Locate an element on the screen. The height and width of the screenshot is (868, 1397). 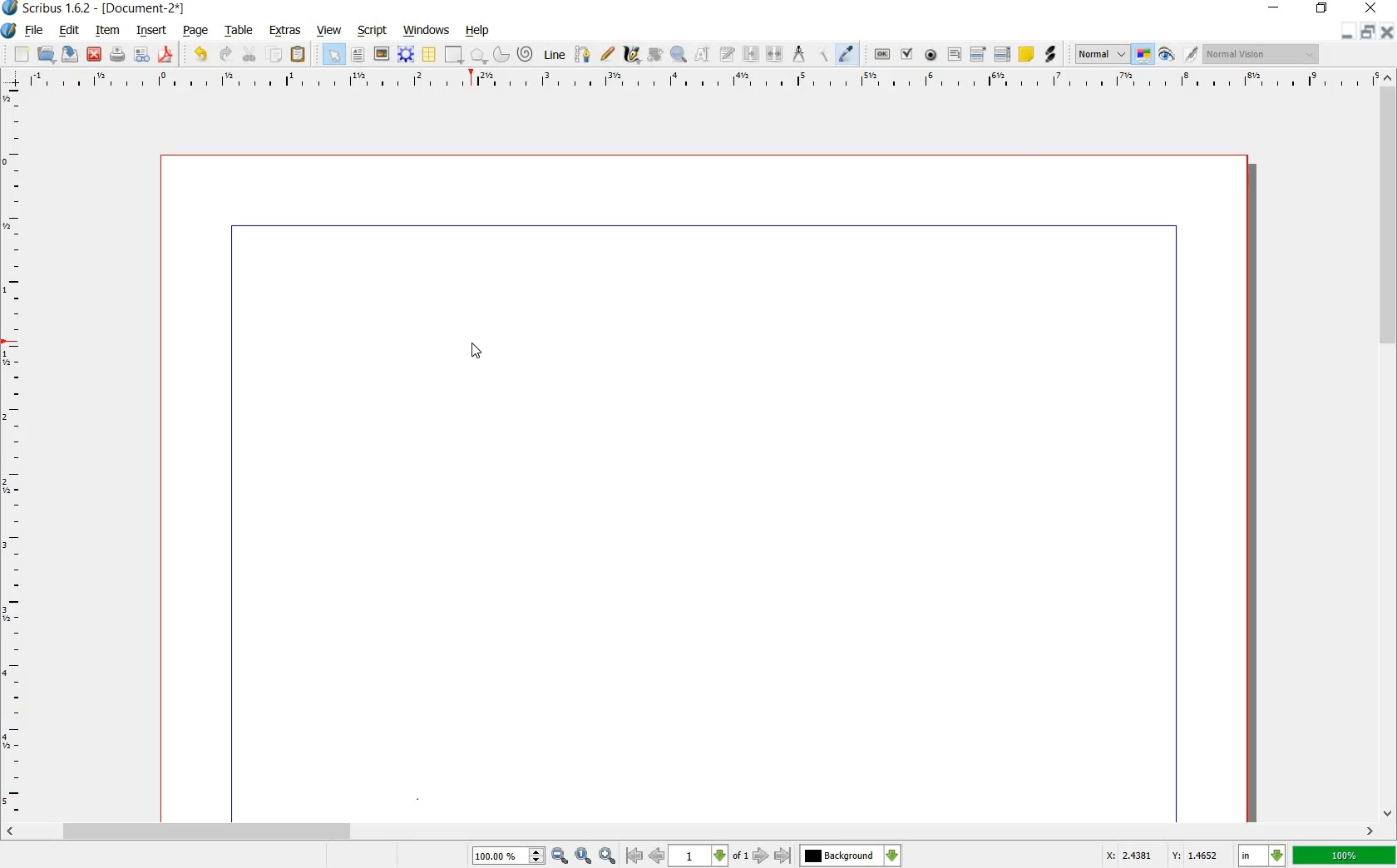
RESTORE is located at coordinates (1370, 32).